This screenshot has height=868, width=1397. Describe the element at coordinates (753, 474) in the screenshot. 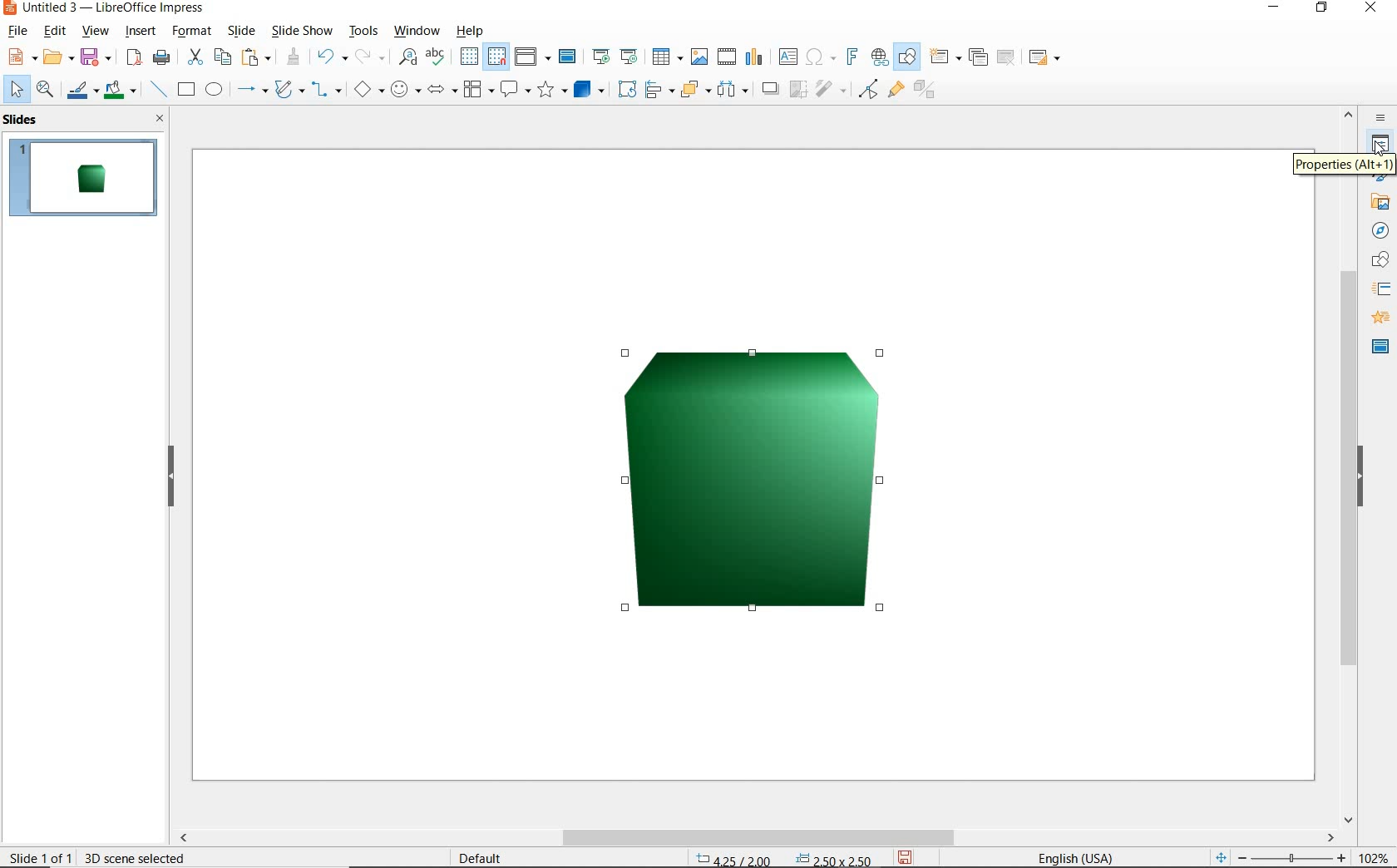

I see `IMAGE` at that location.